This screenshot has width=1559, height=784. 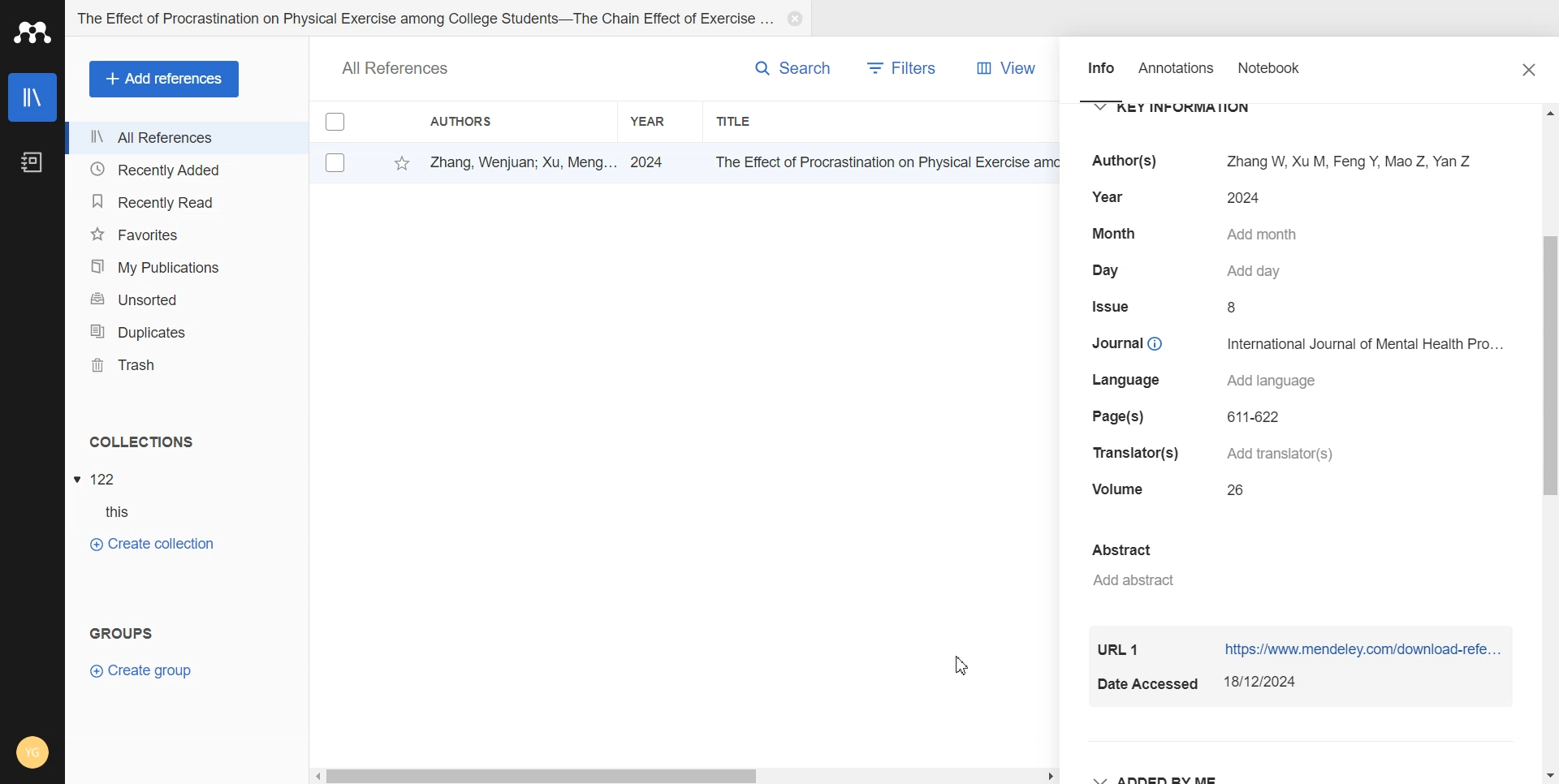 I want to click on Account, so click(x=32, y=752).